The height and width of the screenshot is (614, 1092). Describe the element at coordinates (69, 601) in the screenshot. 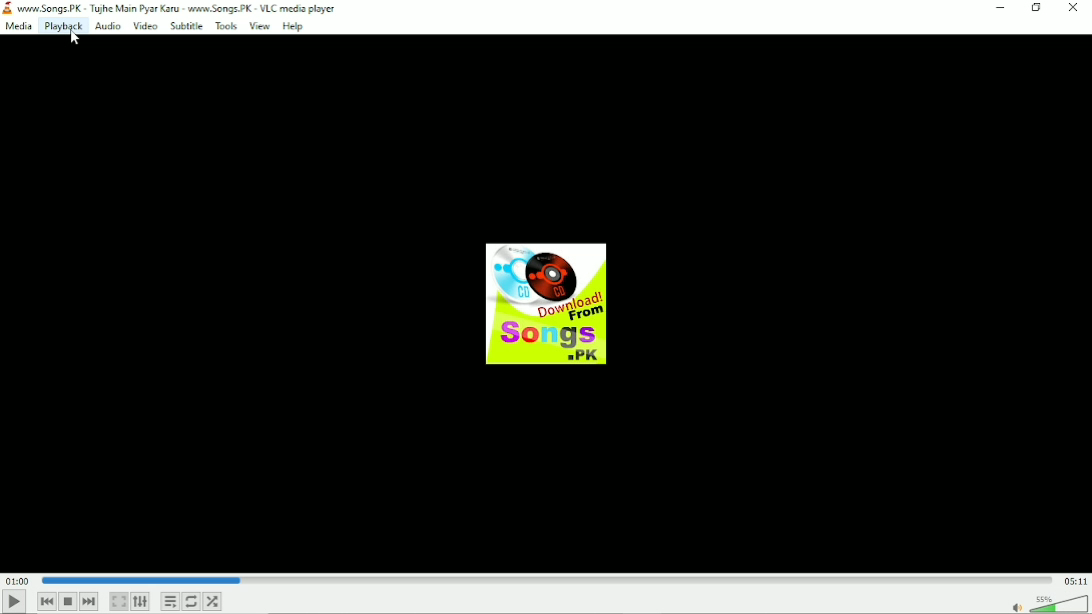

I see `Stop playback` at that location.